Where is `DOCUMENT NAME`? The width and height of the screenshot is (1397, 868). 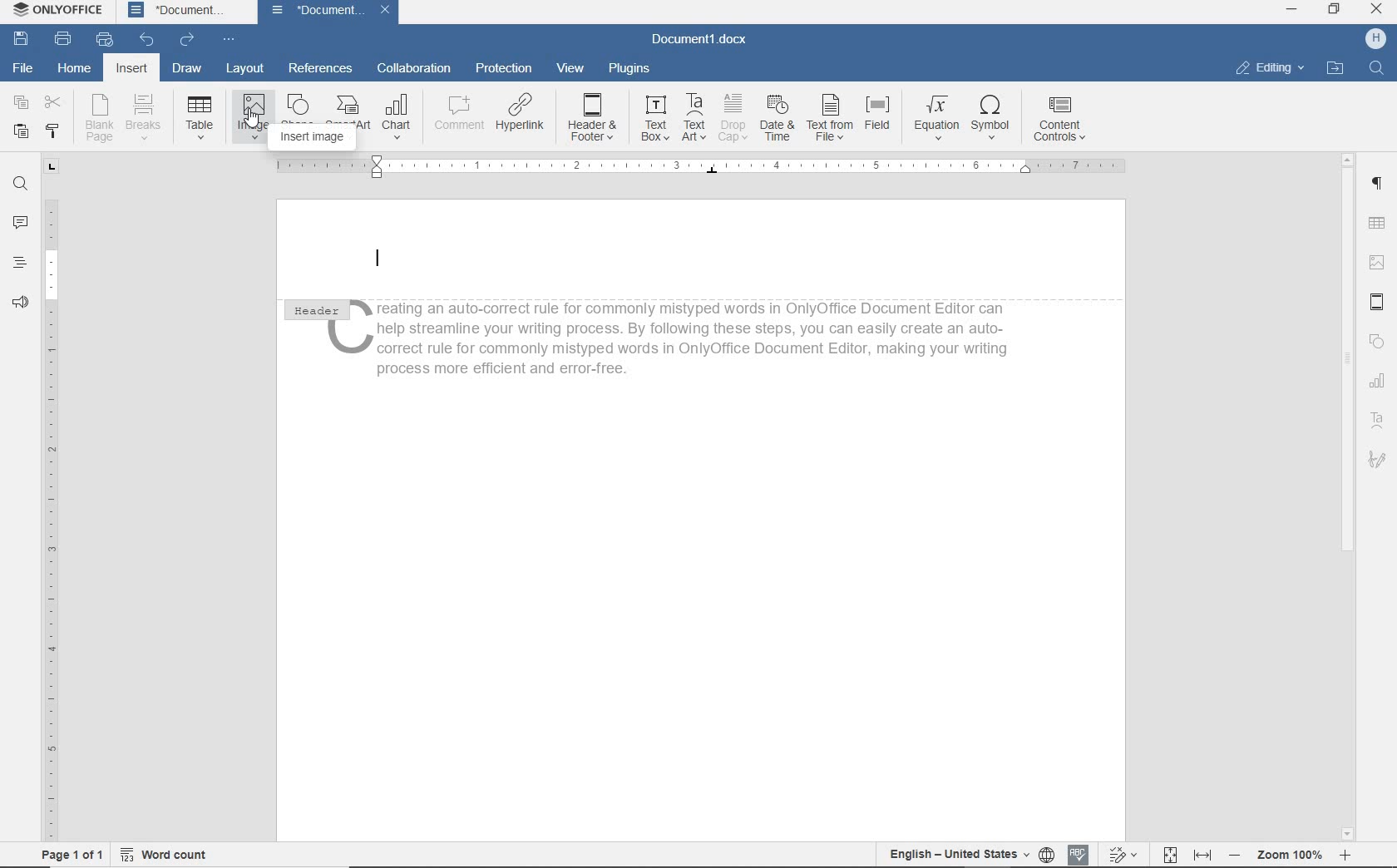
DOCUMENT NAME is located at coordinates (176, 11).